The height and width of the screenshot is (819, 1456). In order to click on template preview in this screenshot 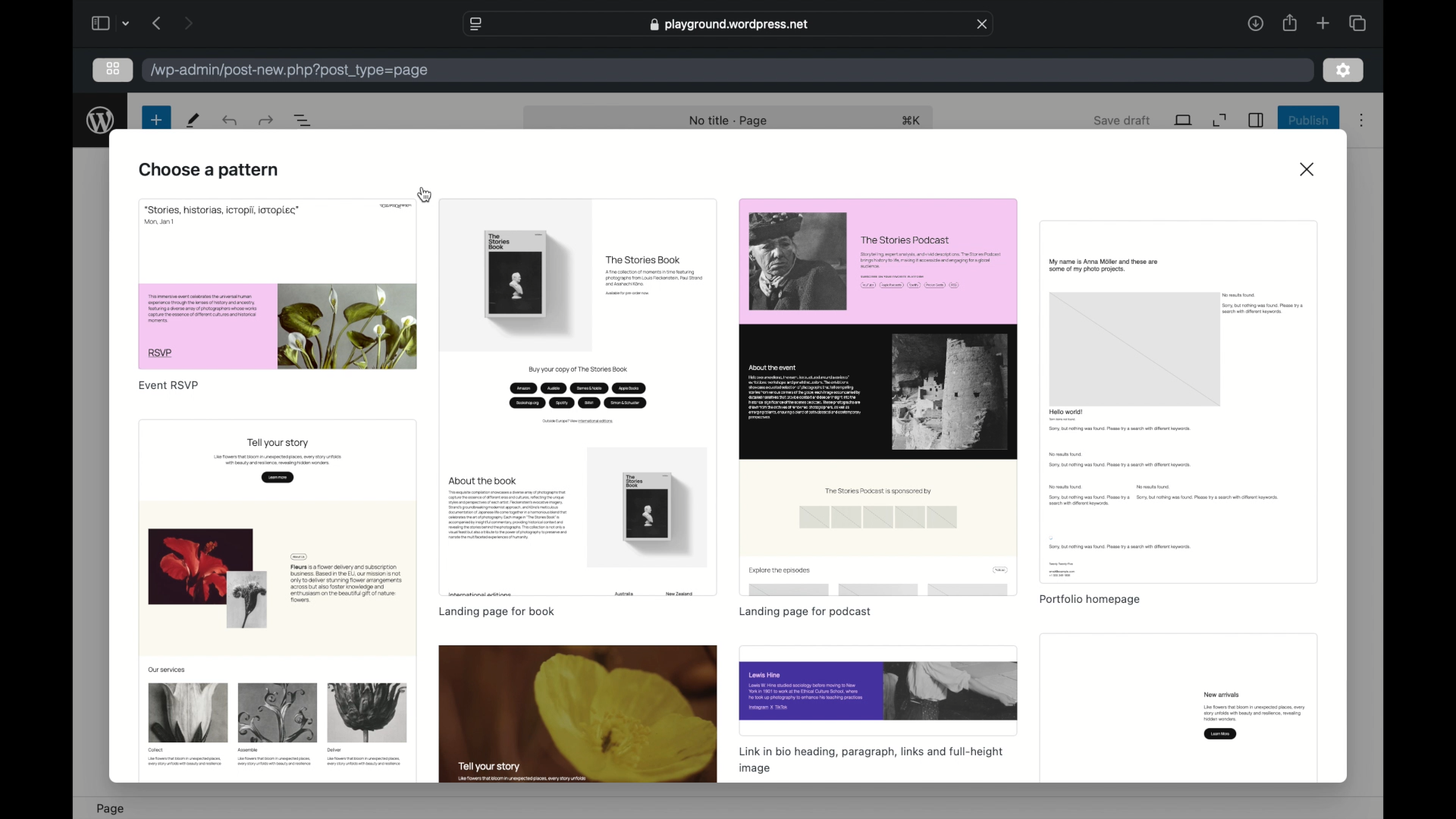, I will do `click(1178, 402)`.